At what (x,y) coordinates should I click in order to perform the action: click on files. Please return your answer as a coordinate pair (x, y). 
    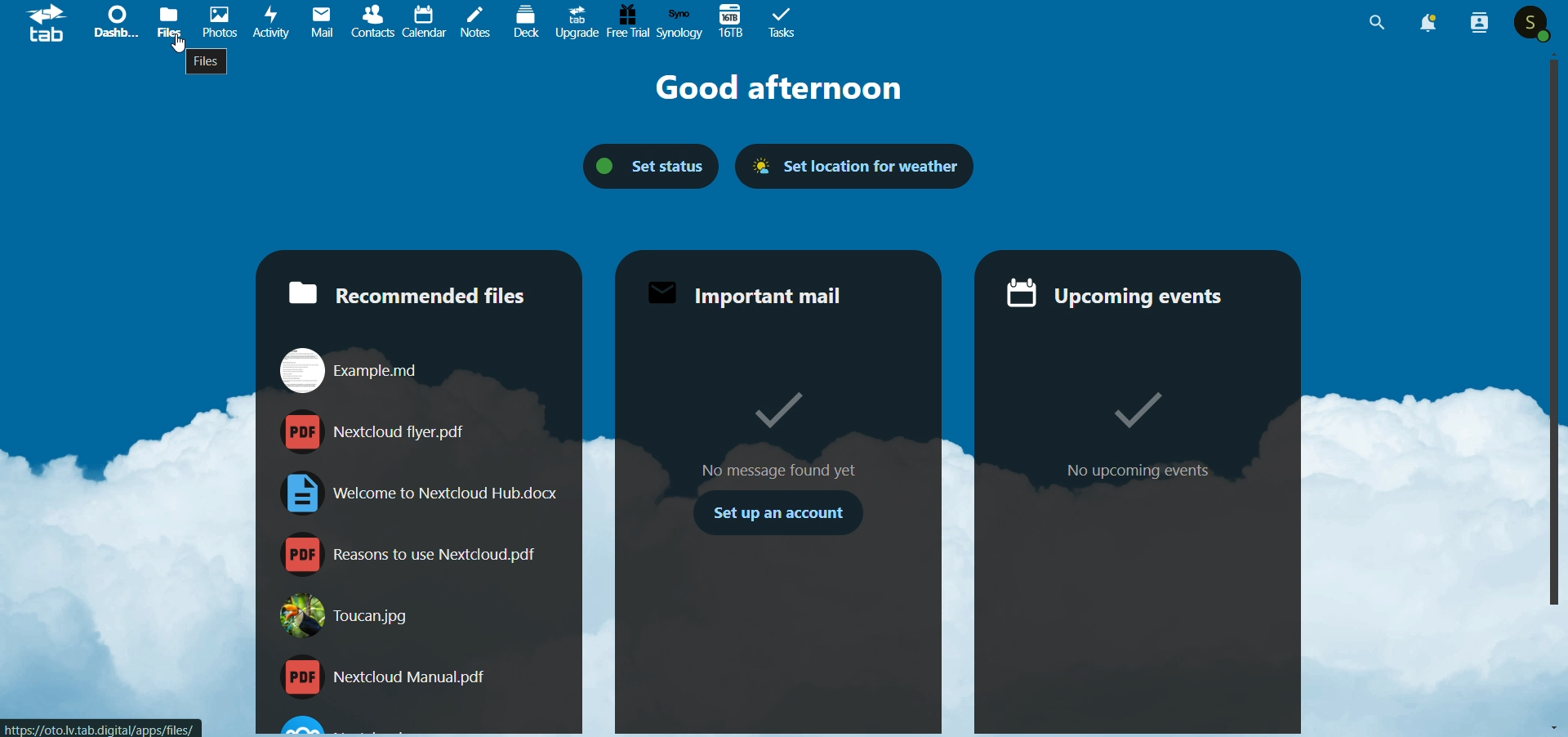
    Looking at the image, I should click on (171, 26).